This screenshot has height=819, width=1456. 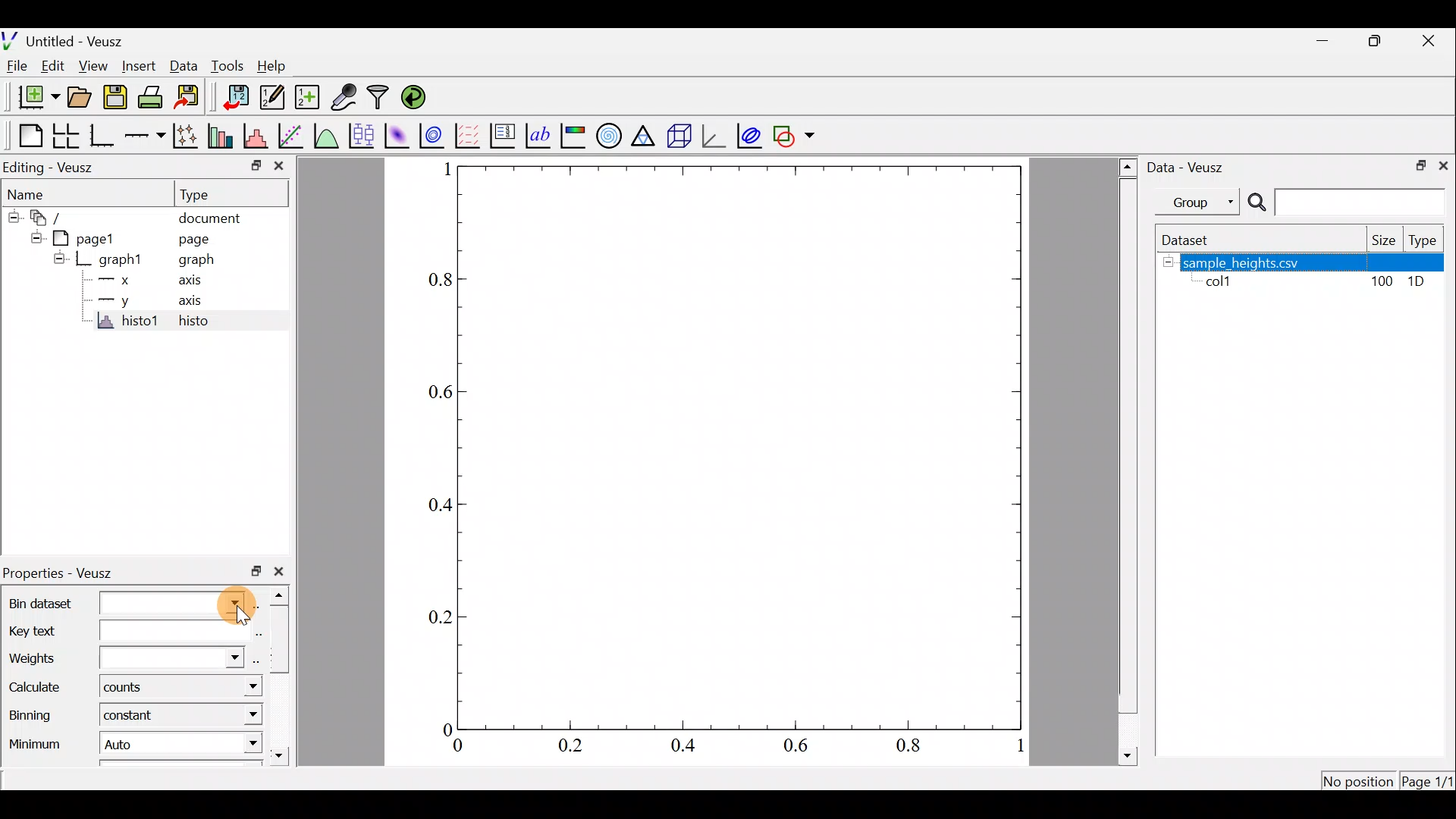 What do you see at coordinates (440, 726) in the screenshot?
I see `0` at bounding box center [440, 726].